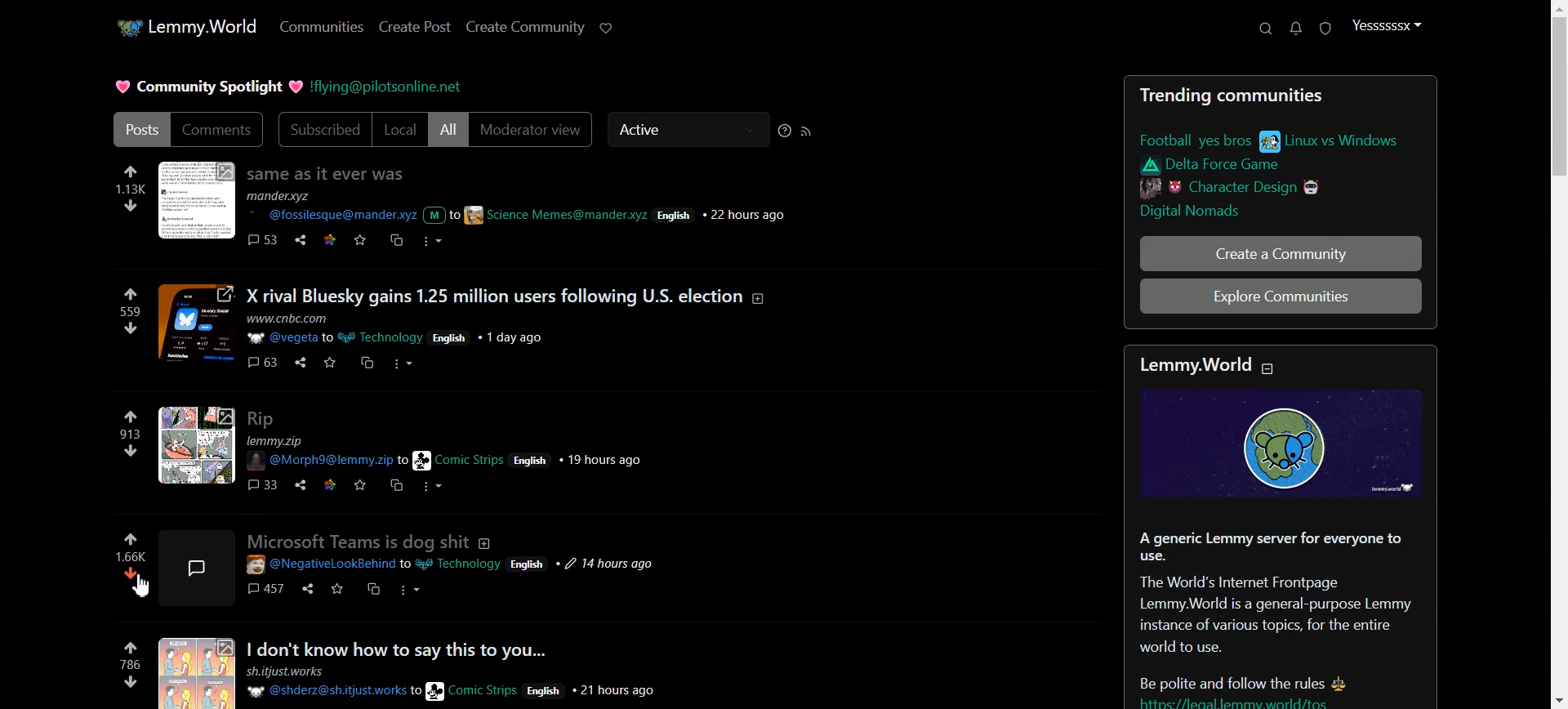  I want to click on Communities, so click(321, 27).